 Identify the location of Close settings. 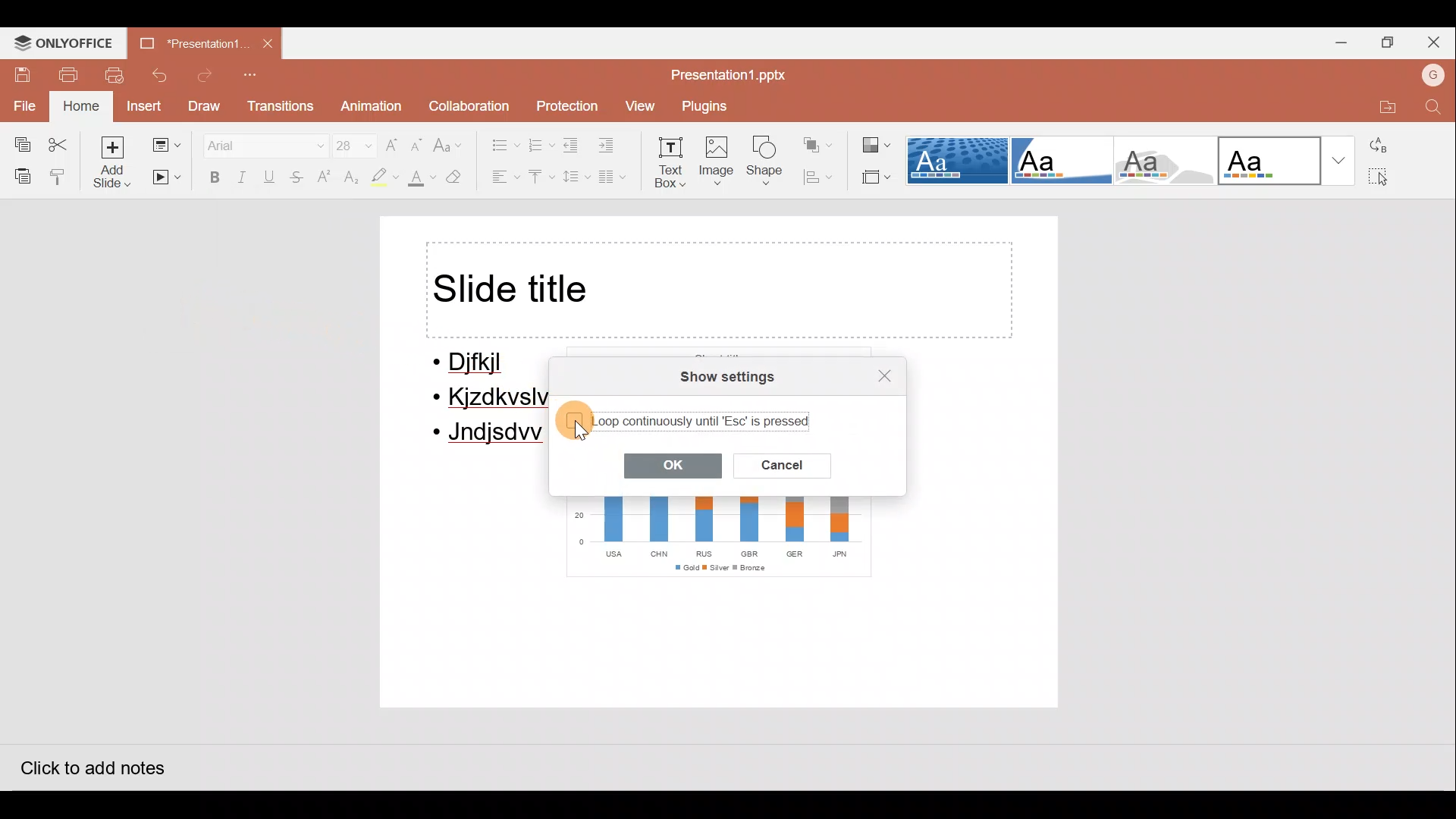
(878, 375).